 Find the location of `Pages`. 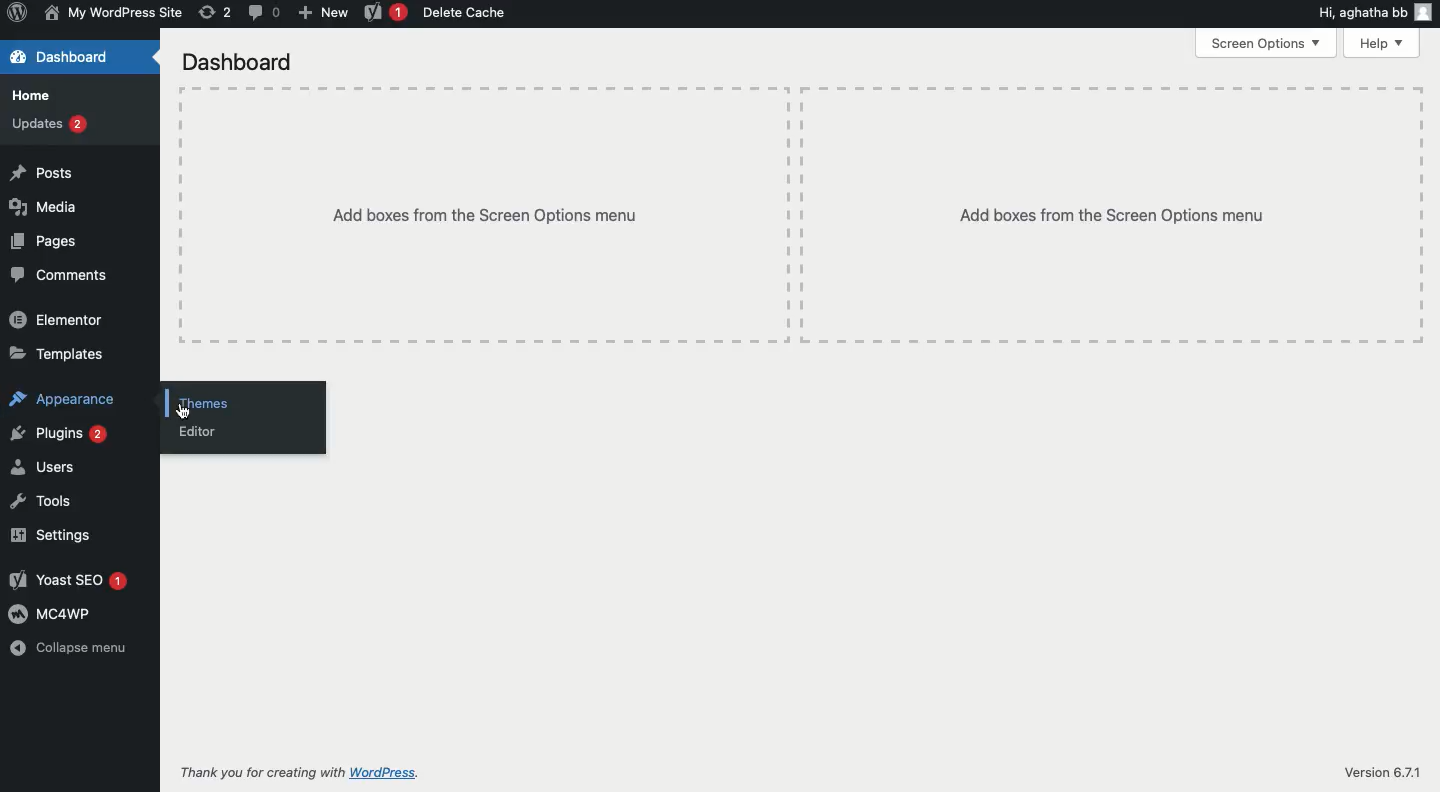

Pages is located at coordinates (44, 243).